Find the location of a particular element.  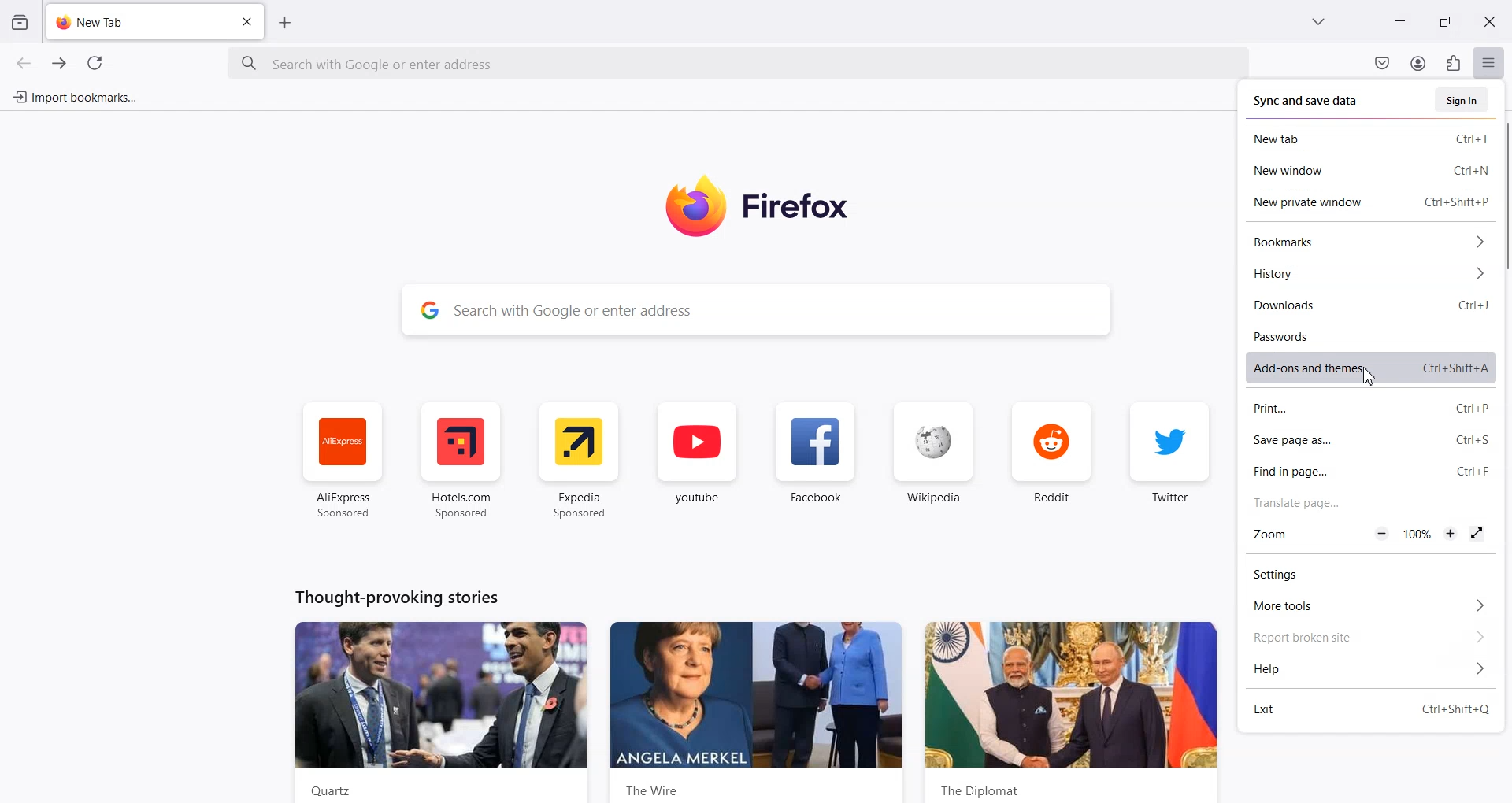

Report broken site is located at coordinates (1369, 637).